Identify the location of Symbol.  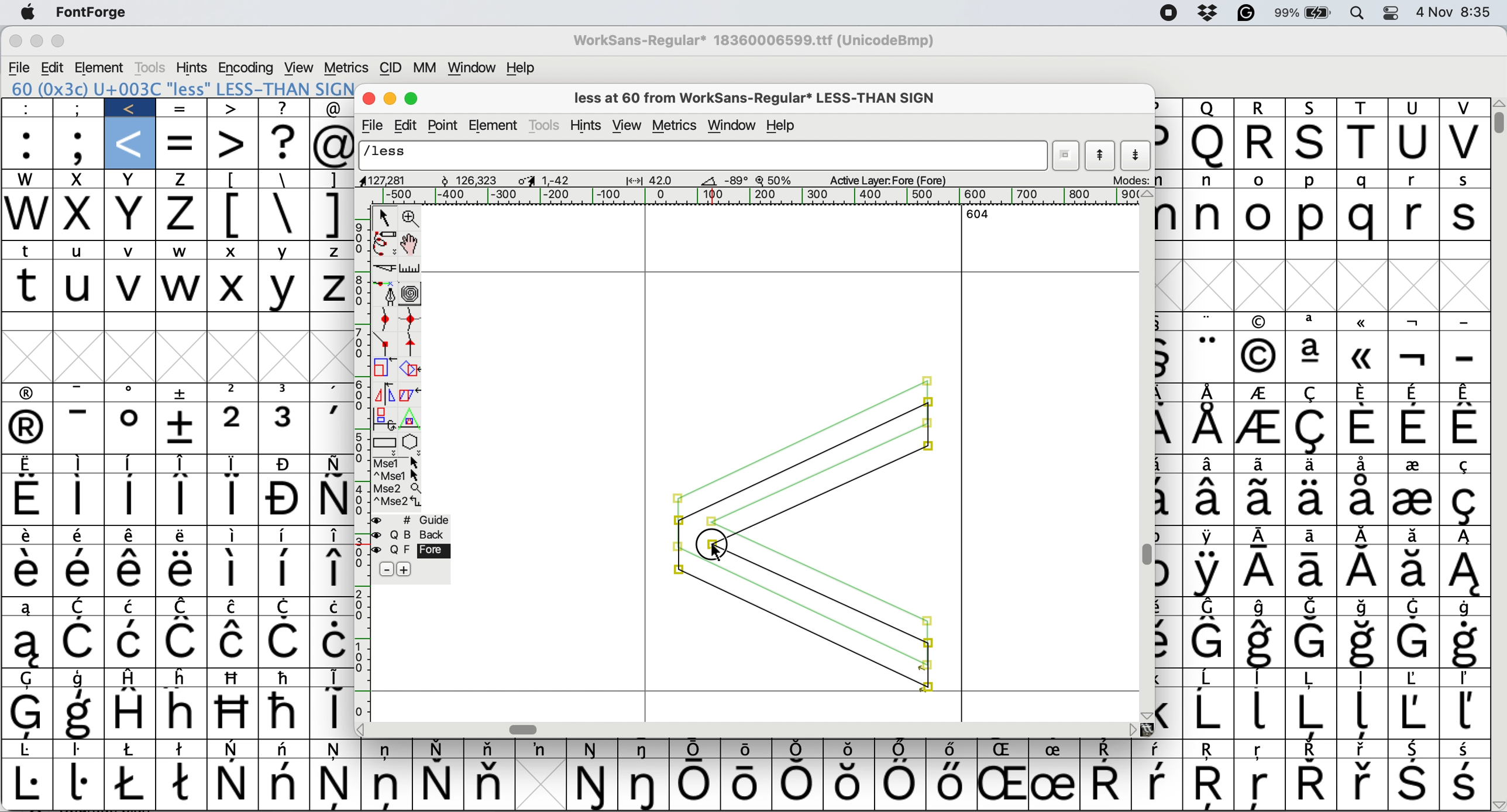
(236, 676).